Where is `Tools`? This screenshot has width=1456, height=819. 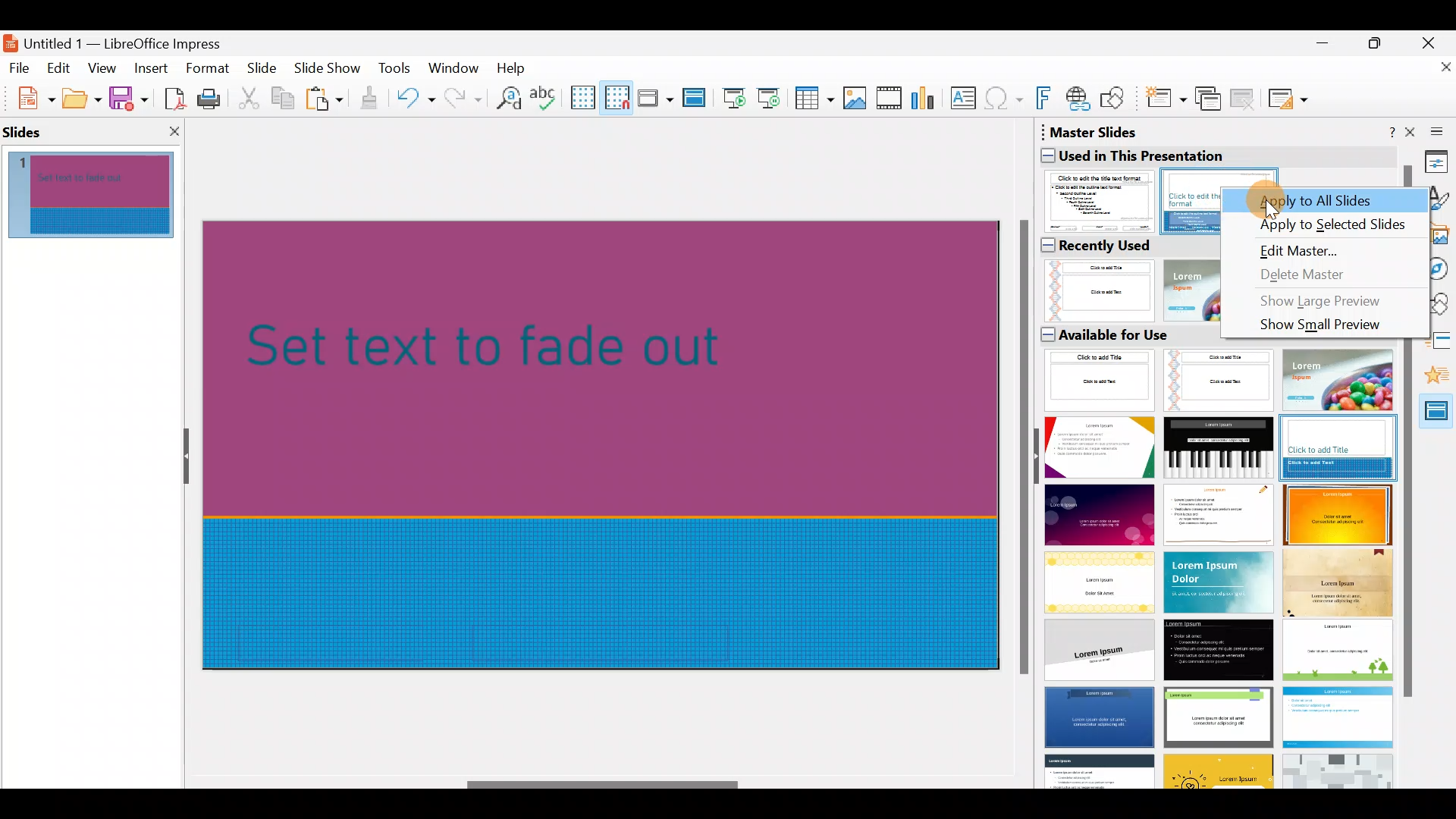 Tools is located at coordinates (396, 71).